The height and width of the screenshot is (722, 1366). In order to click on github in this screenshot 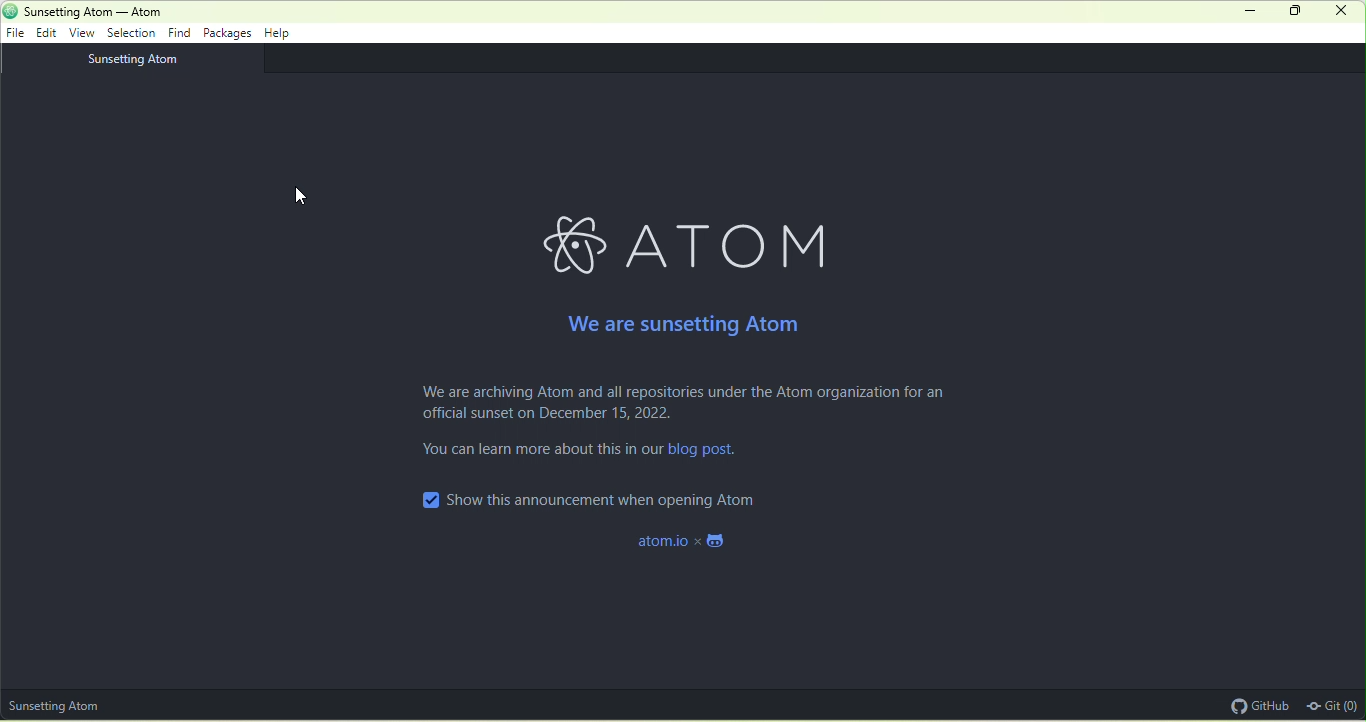, I will do `click(1255, 705)`.